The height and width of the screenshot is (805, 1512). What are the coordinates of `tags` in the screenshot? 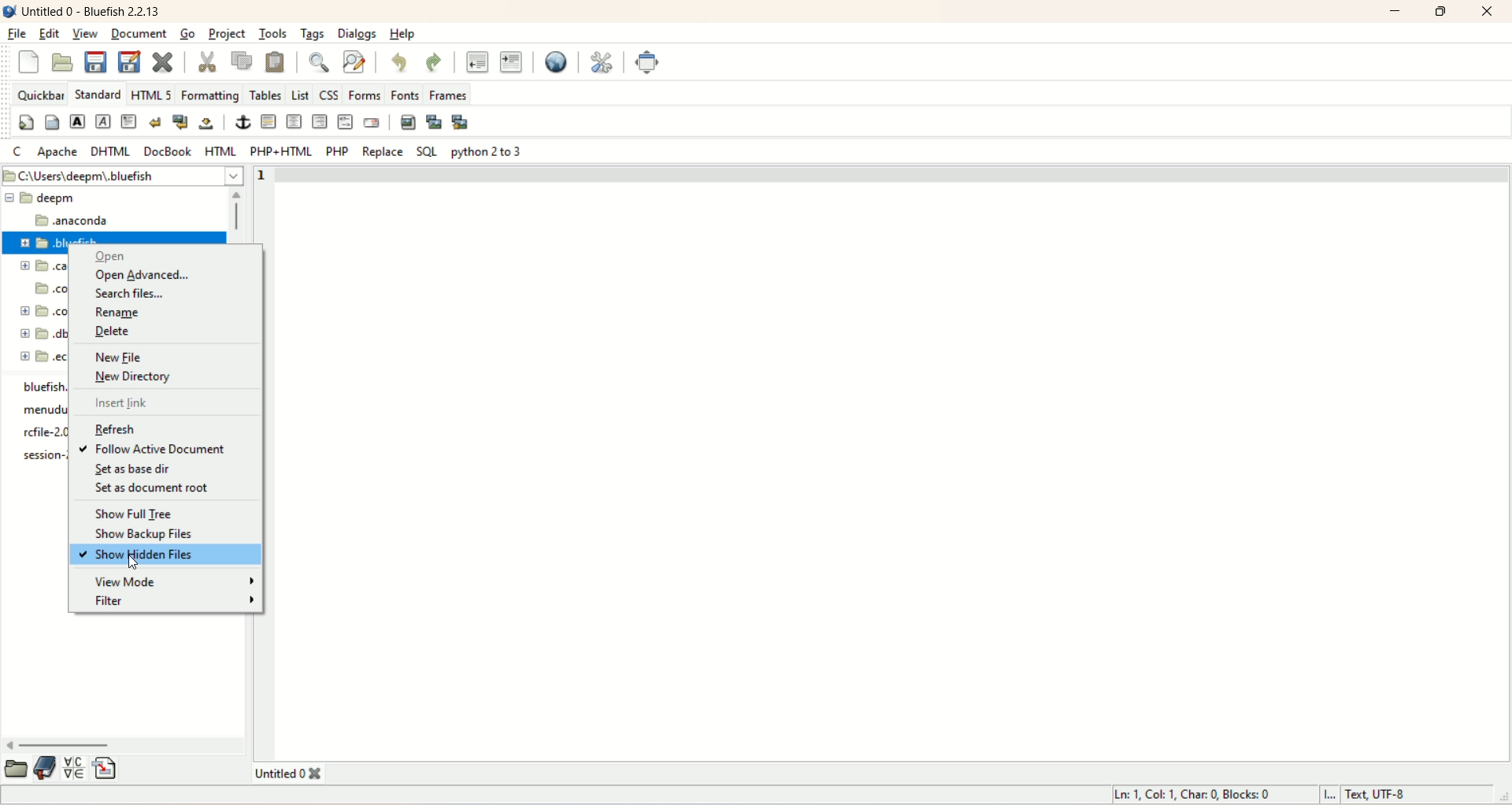 It's located at (313, 34).